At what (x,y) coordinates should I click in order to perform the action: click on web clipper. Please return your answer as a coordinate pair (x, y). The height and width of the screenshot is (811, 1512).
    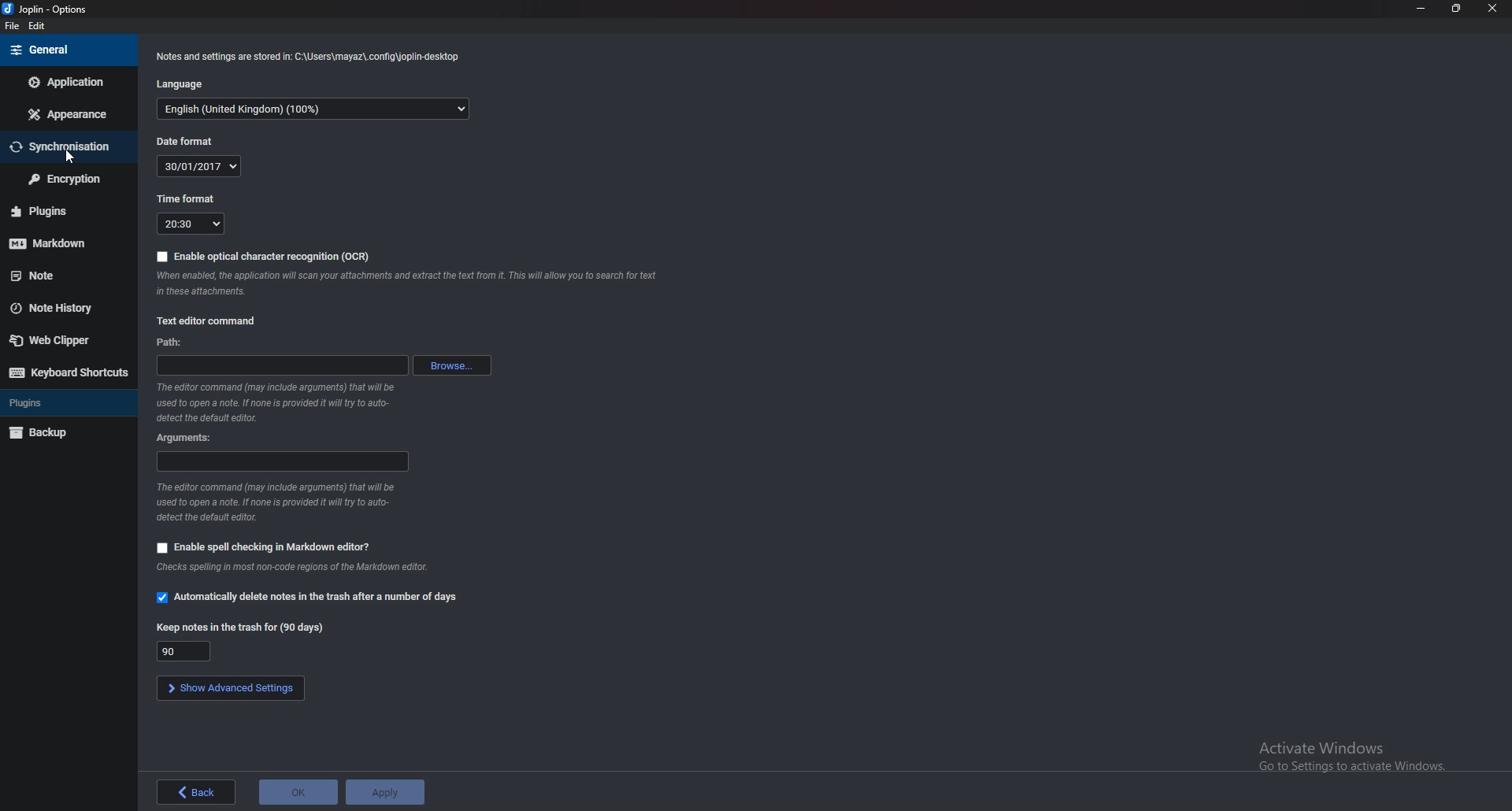
    Looking at the image, I should click on (59, 341).